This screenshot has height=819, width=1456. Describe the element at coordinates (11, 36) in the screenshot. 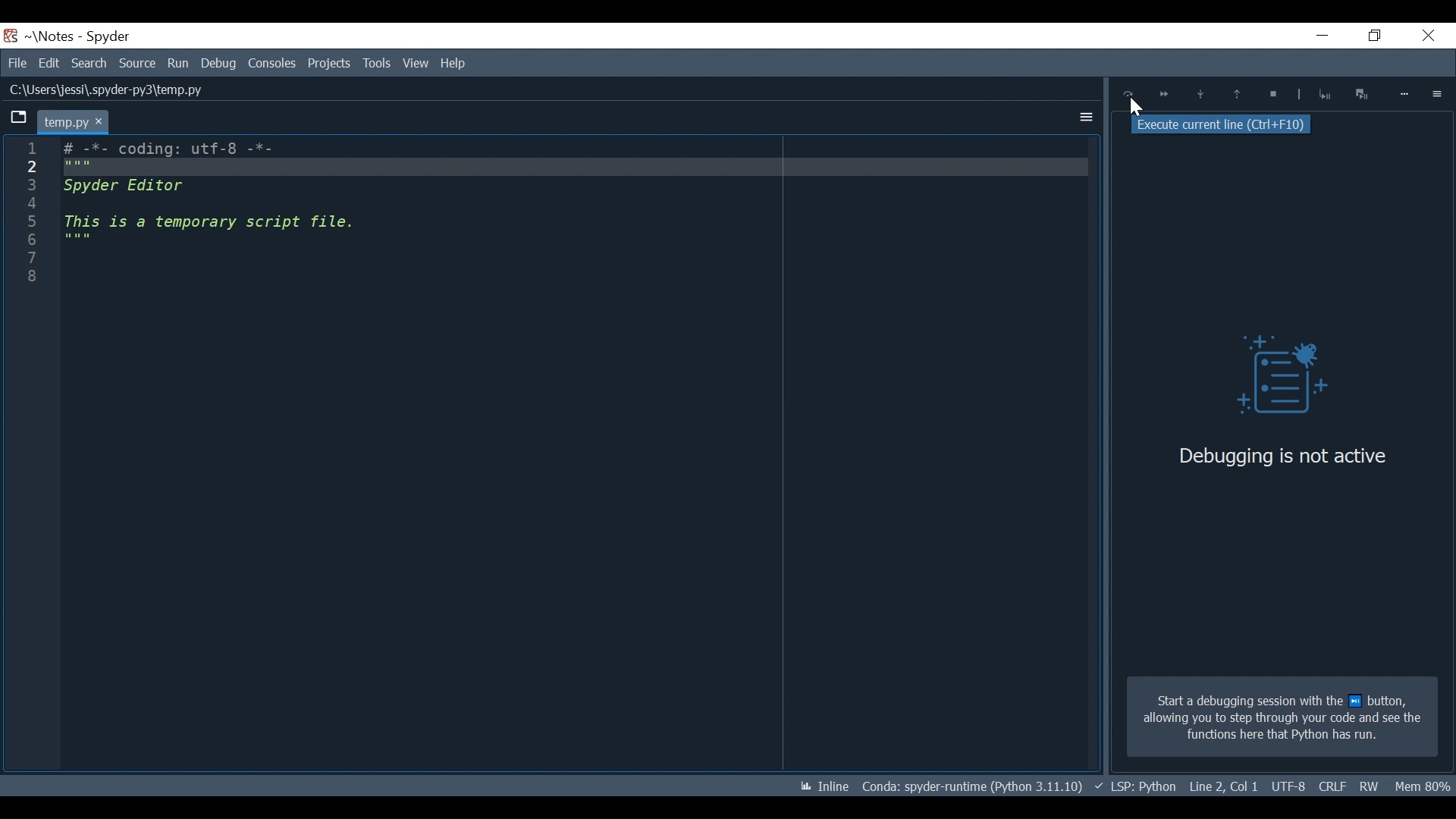

I see `Spyder Desktop Icon` at that location.